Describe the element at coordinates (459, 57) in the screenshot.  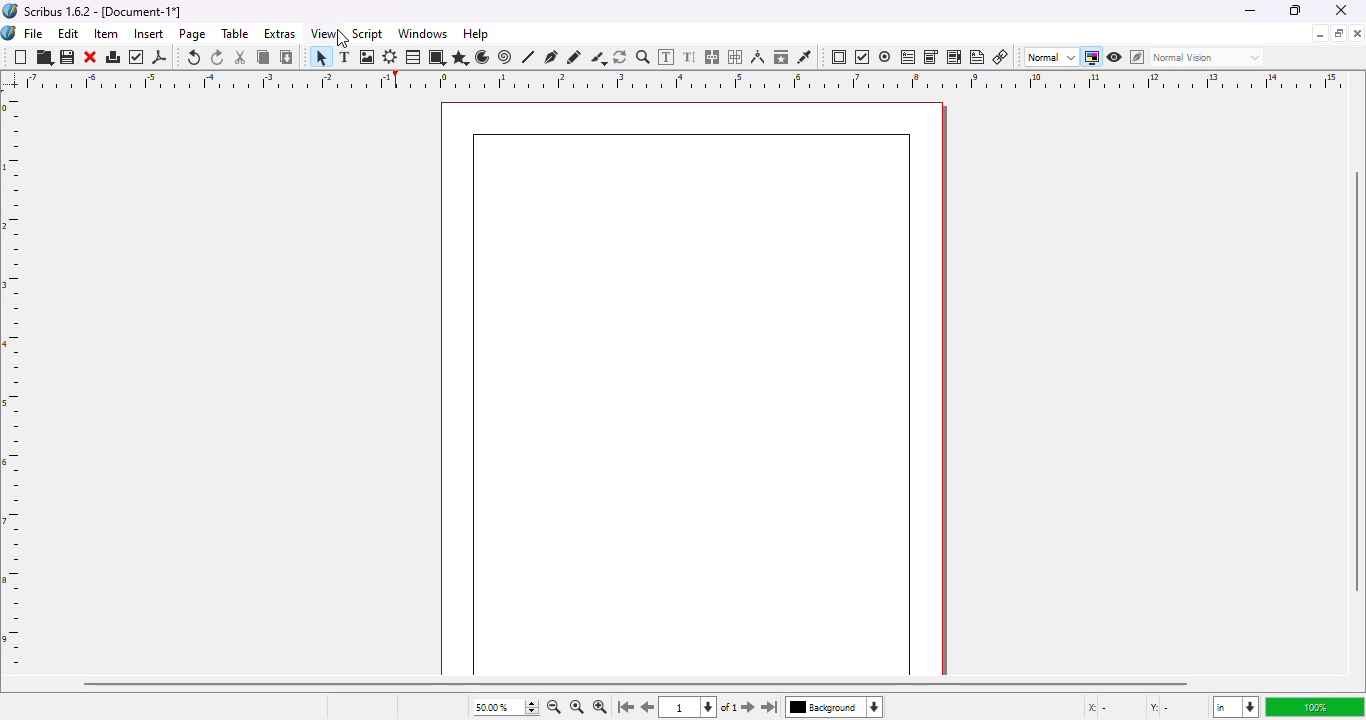
I see `polygon` at that location.